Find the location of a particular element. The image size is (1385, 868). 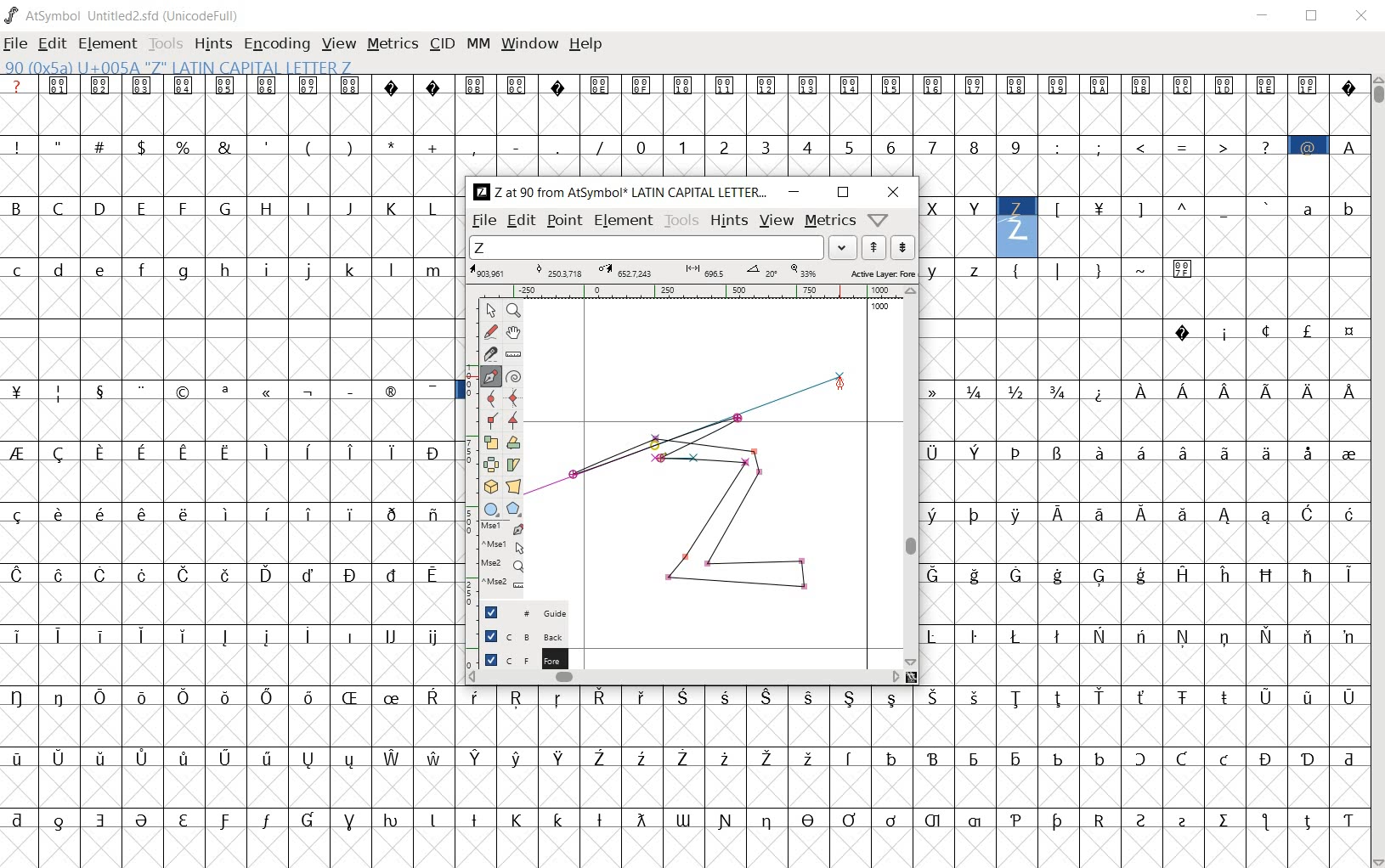

add a curve point always either horizontal or vertical is located at coordinates (513, 397).